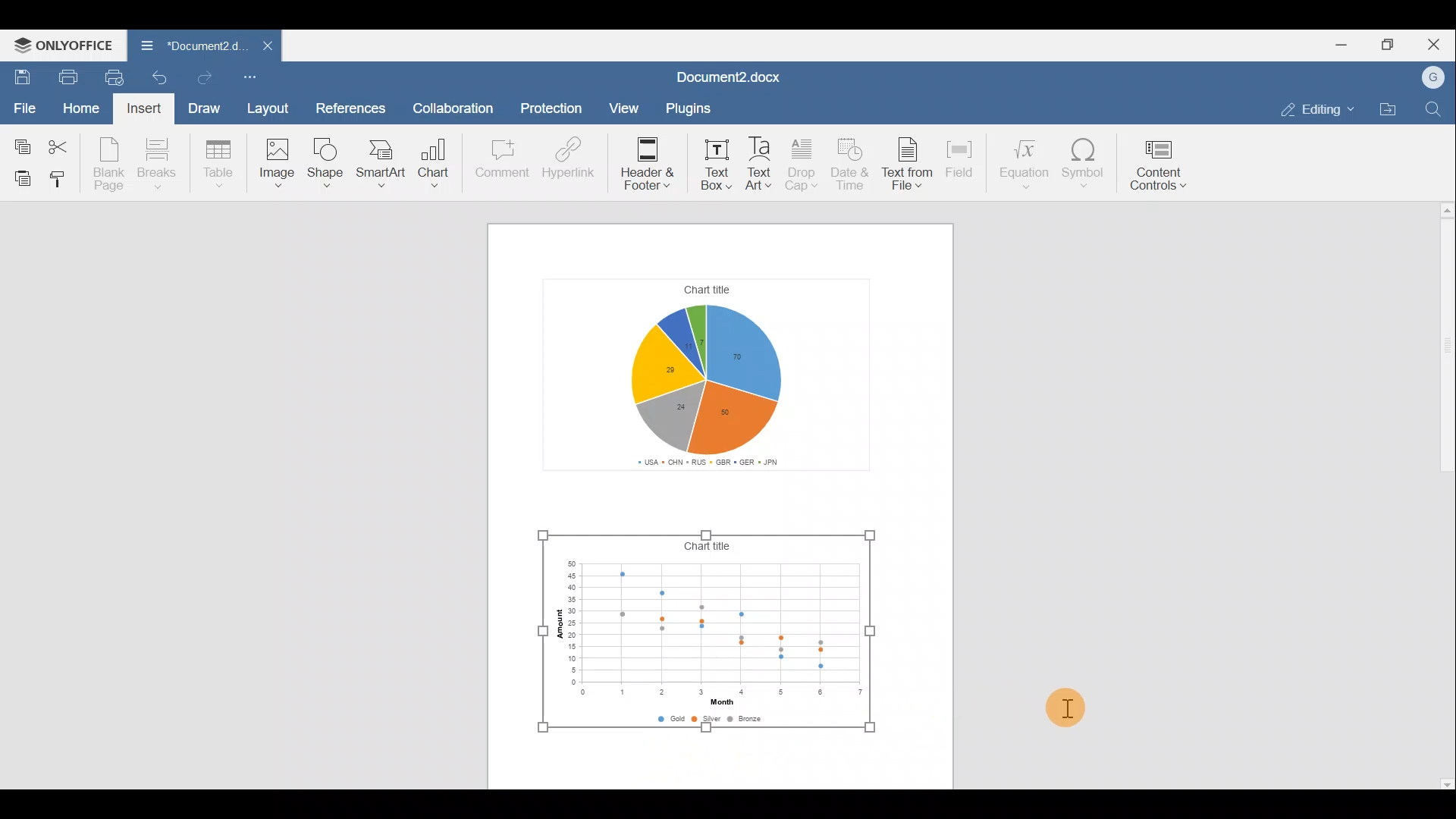  What do you see at coordinates (645, 160) in the screenshot?
I see `Header & footer` at bounding box center [645, 160].